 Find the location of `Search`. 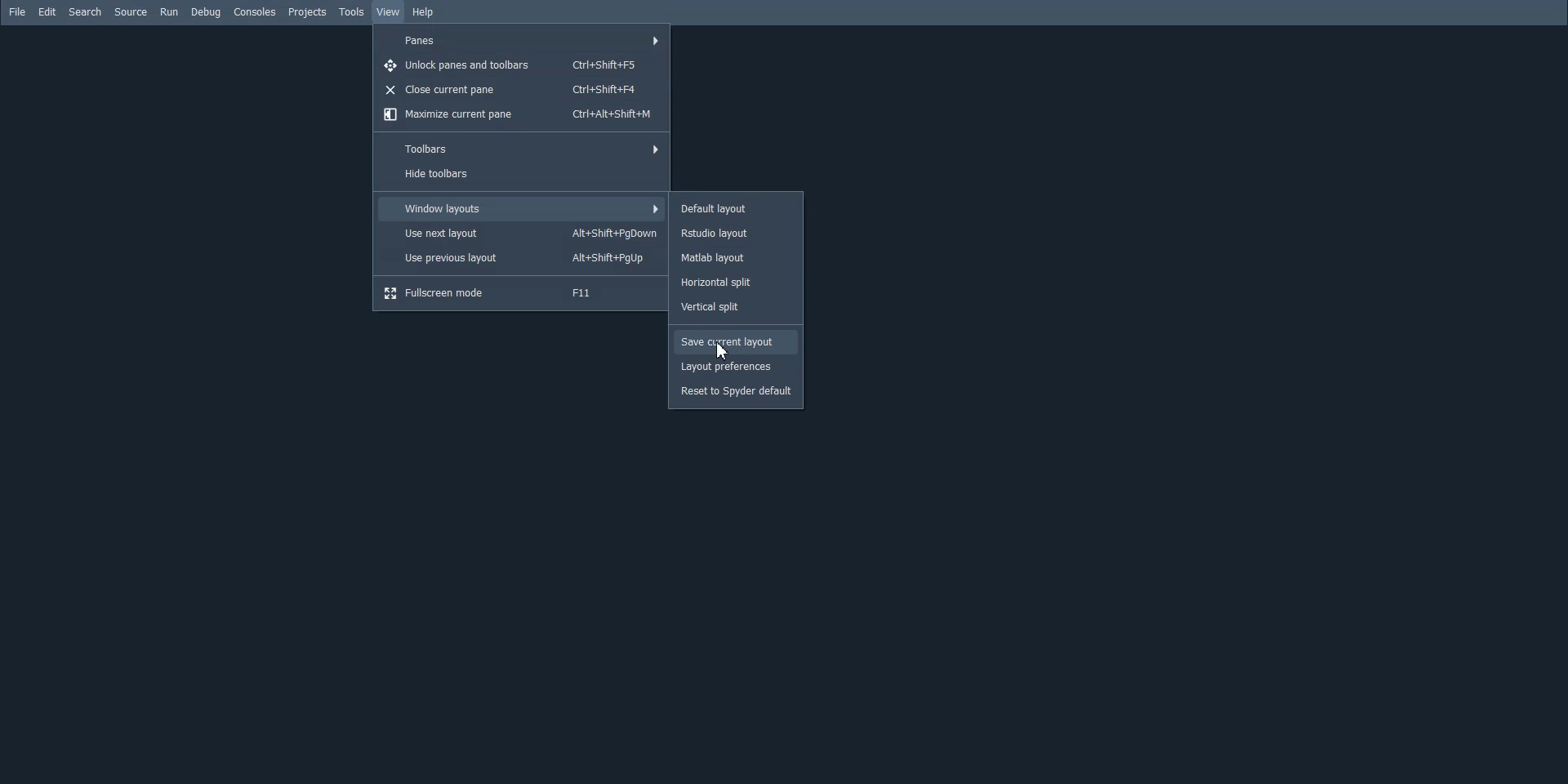

Search is located at coordinates (86, 12).